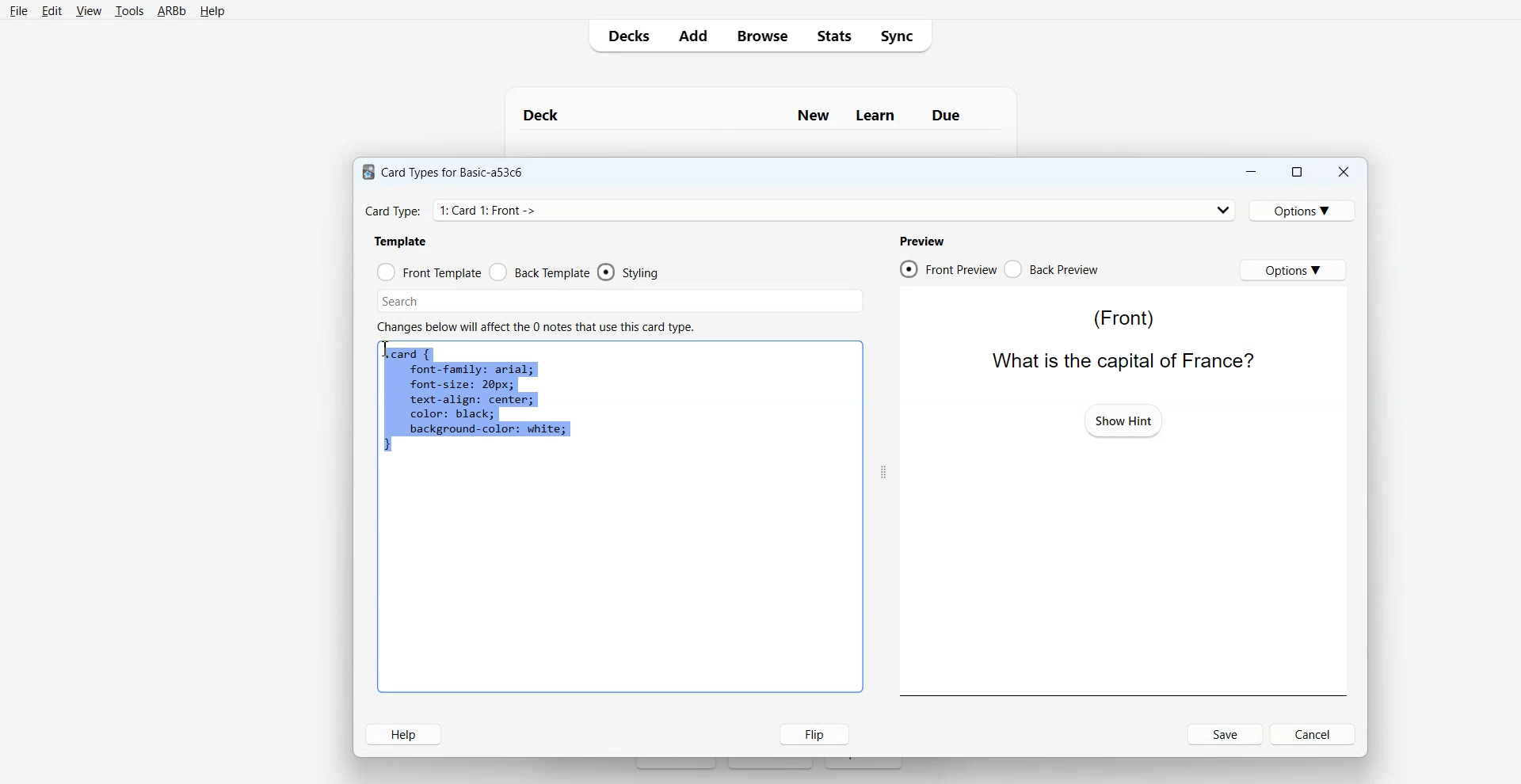 This screenshot has width=1521, height=784. What do you see at coordinates (1293, 269) in the screenshot?
I see `Options` at bounding box center [1293, 269].